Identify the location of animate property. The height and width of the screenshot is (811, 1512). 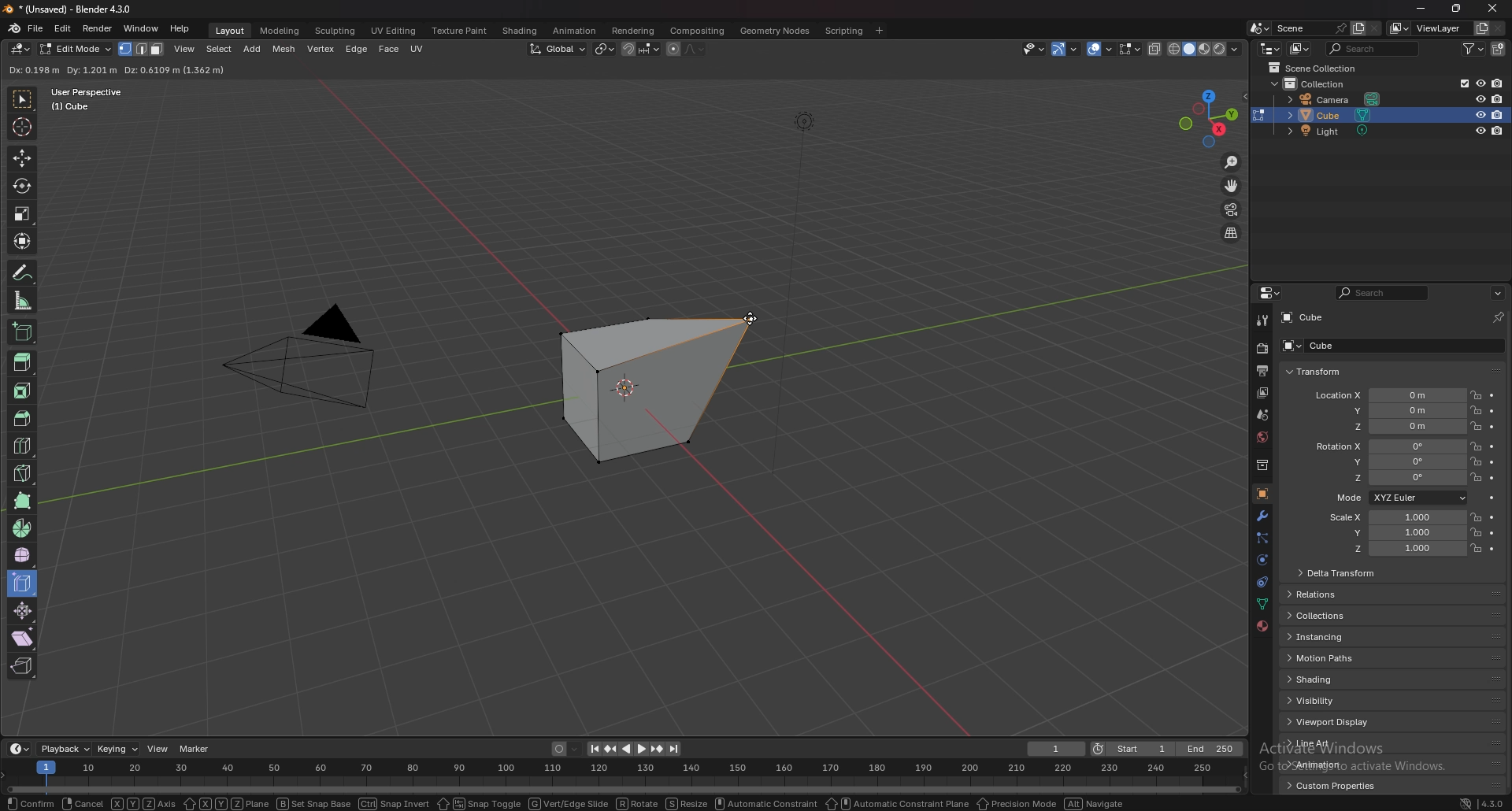
(1492, 462).